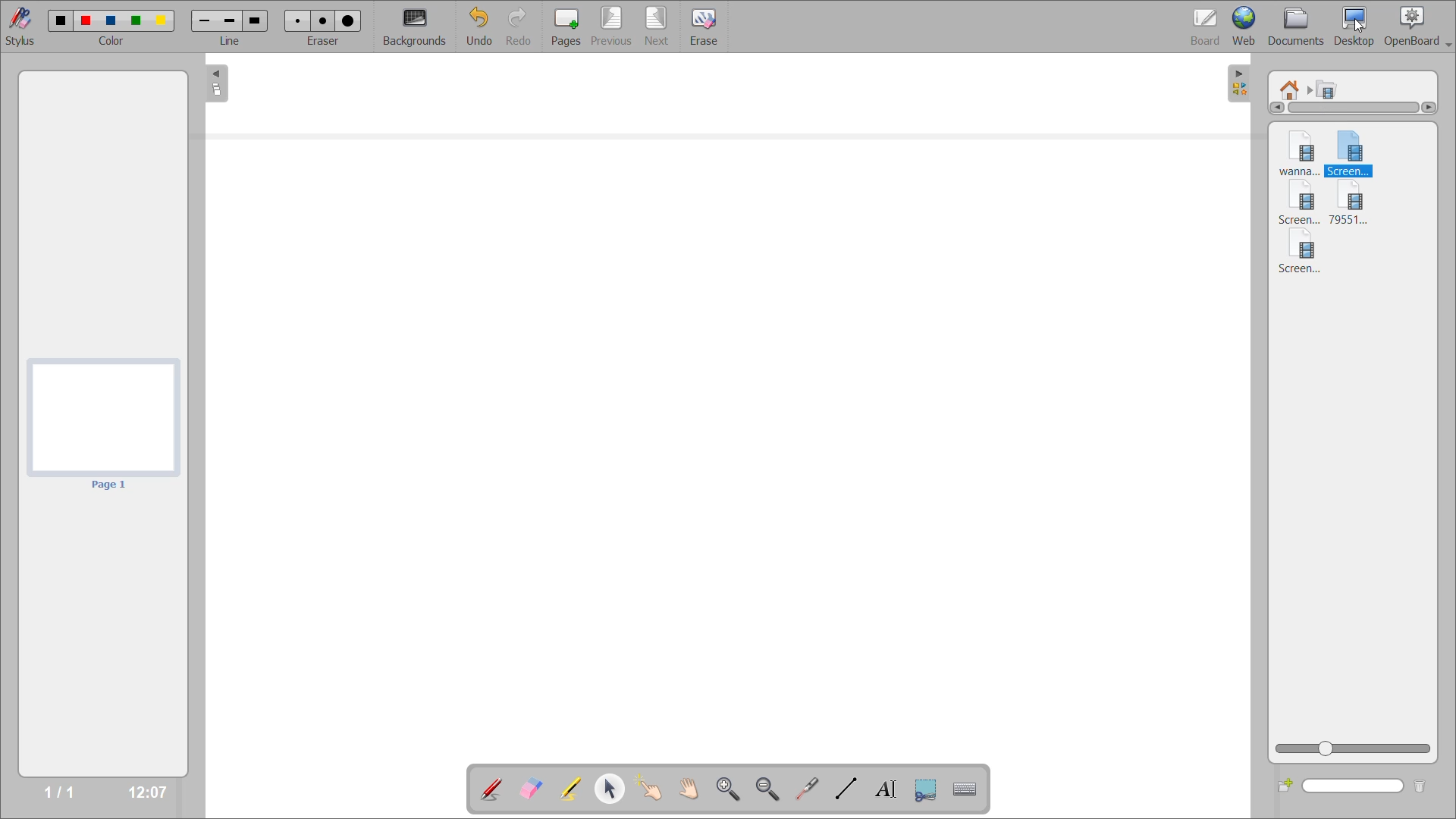 This screenshot has width=1456, height=819. What do you see at coordinates (729, 789) in the screenshot?
I see `zoom in` at bounding box center [729, 789].